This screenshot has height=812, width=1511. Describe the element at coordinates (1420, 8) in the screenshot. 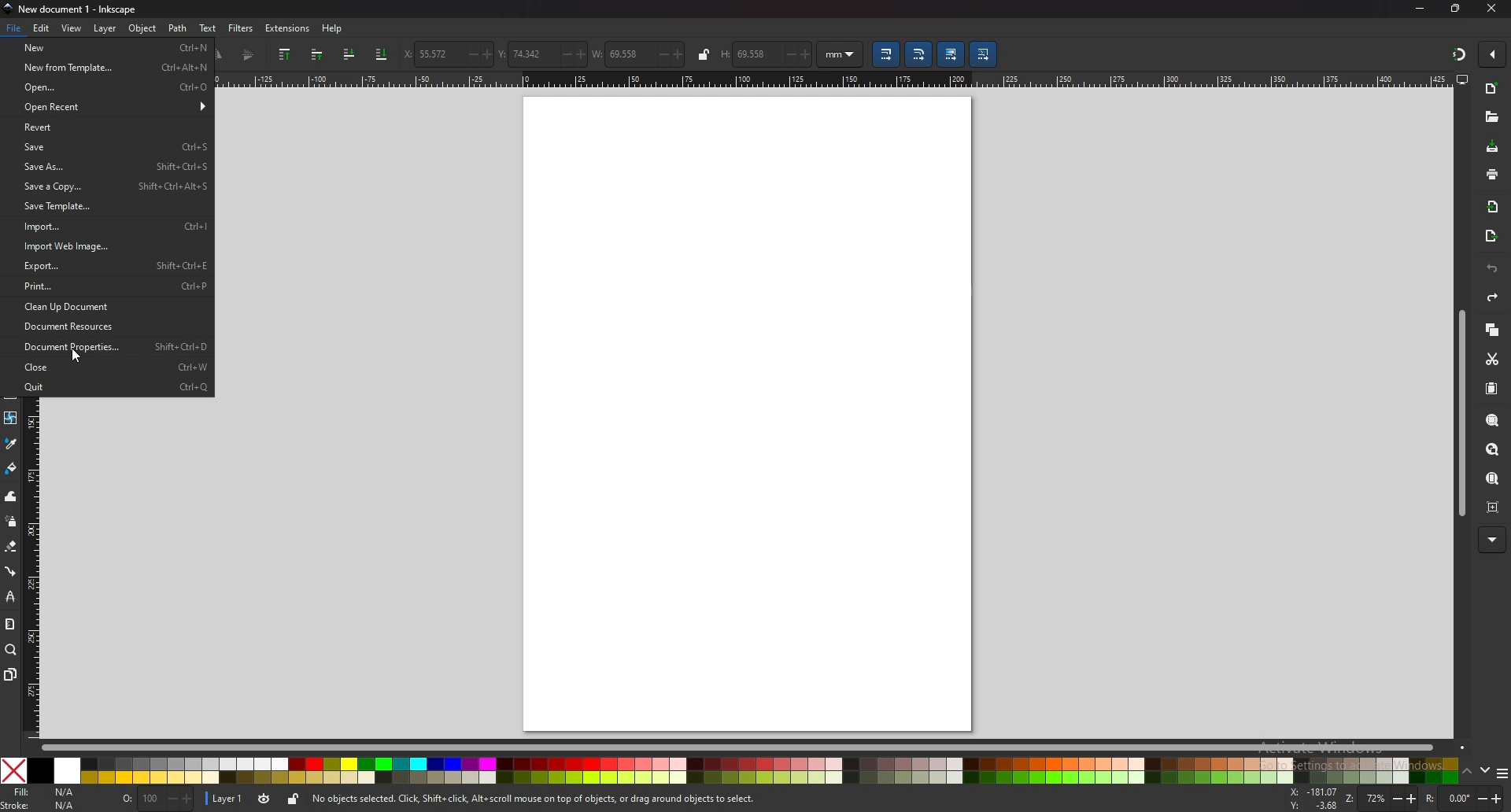

I see `minimize` at that location.